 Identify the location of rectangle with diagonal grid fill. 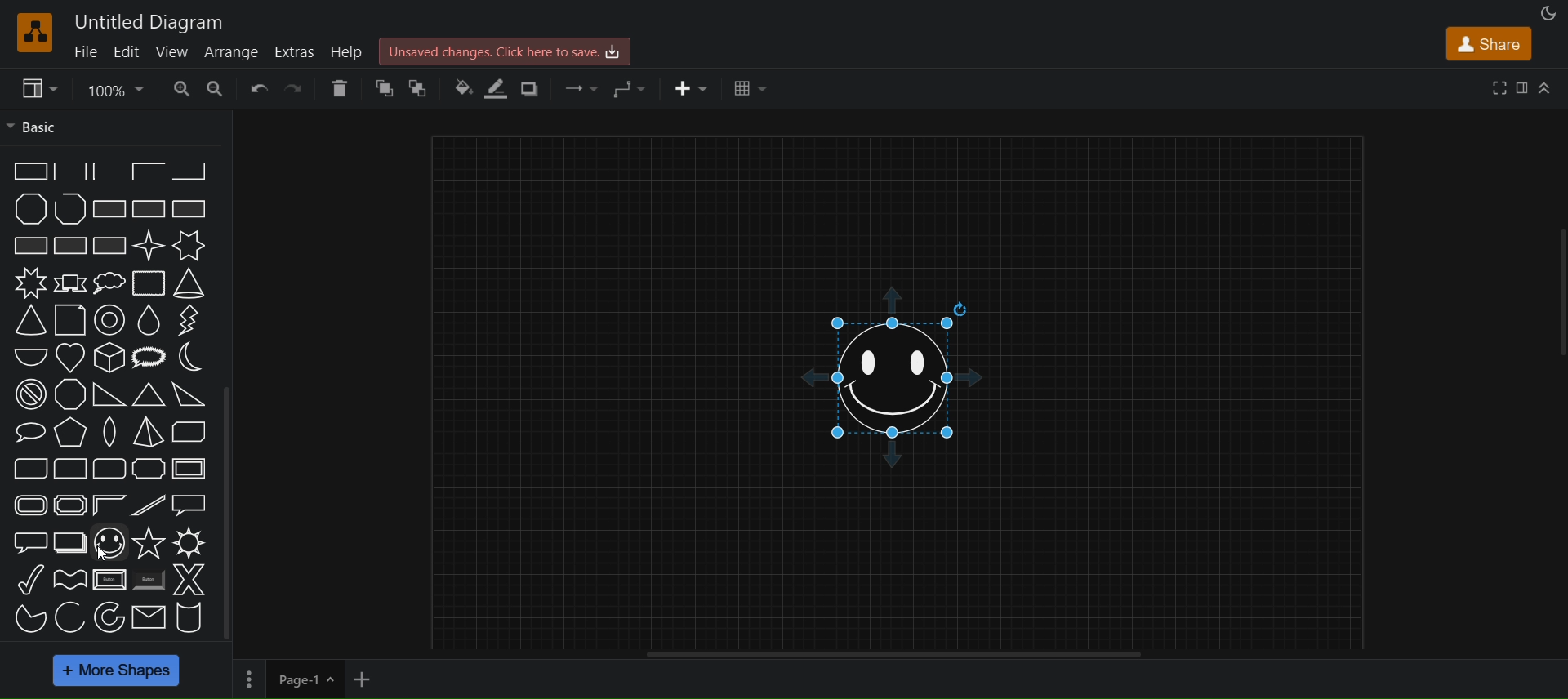
(109, 246).